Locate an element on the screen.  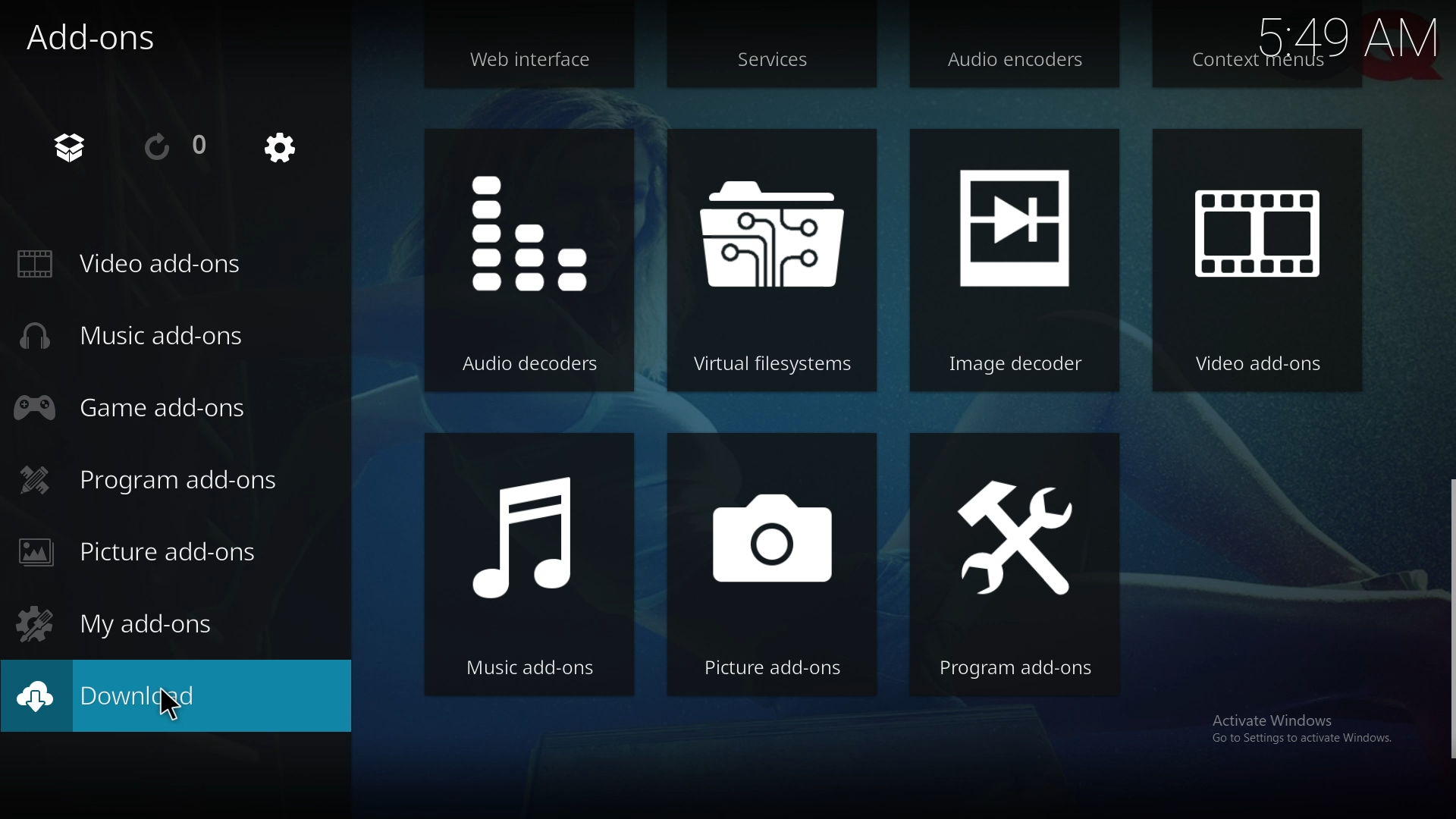
image decoder is located at coordinates (1018, 260).